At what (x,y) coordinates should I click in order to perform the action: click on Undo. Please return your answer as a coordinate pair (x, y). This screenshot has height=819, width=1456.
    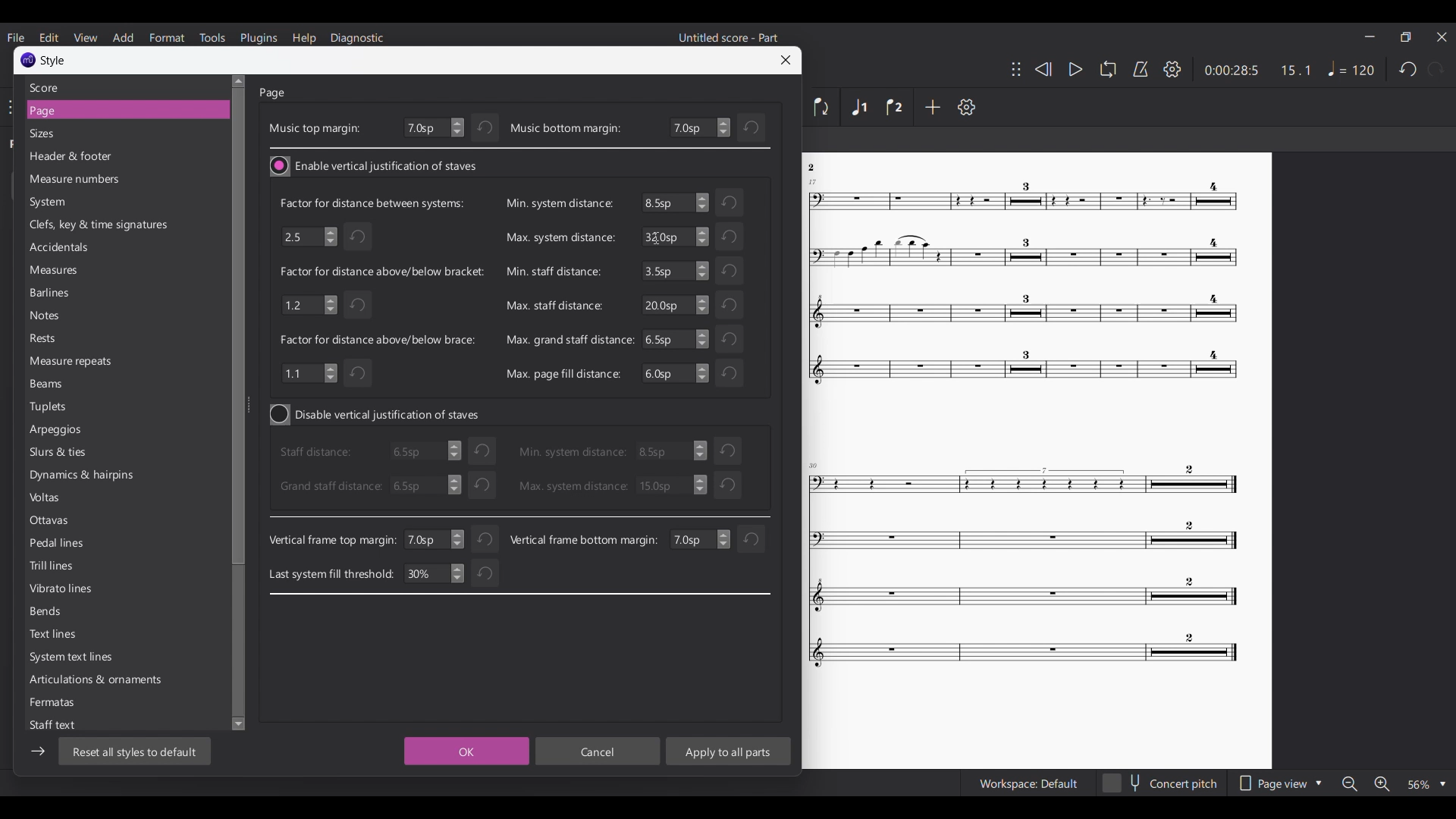
    Looking at the image, I should click on (730, 271).